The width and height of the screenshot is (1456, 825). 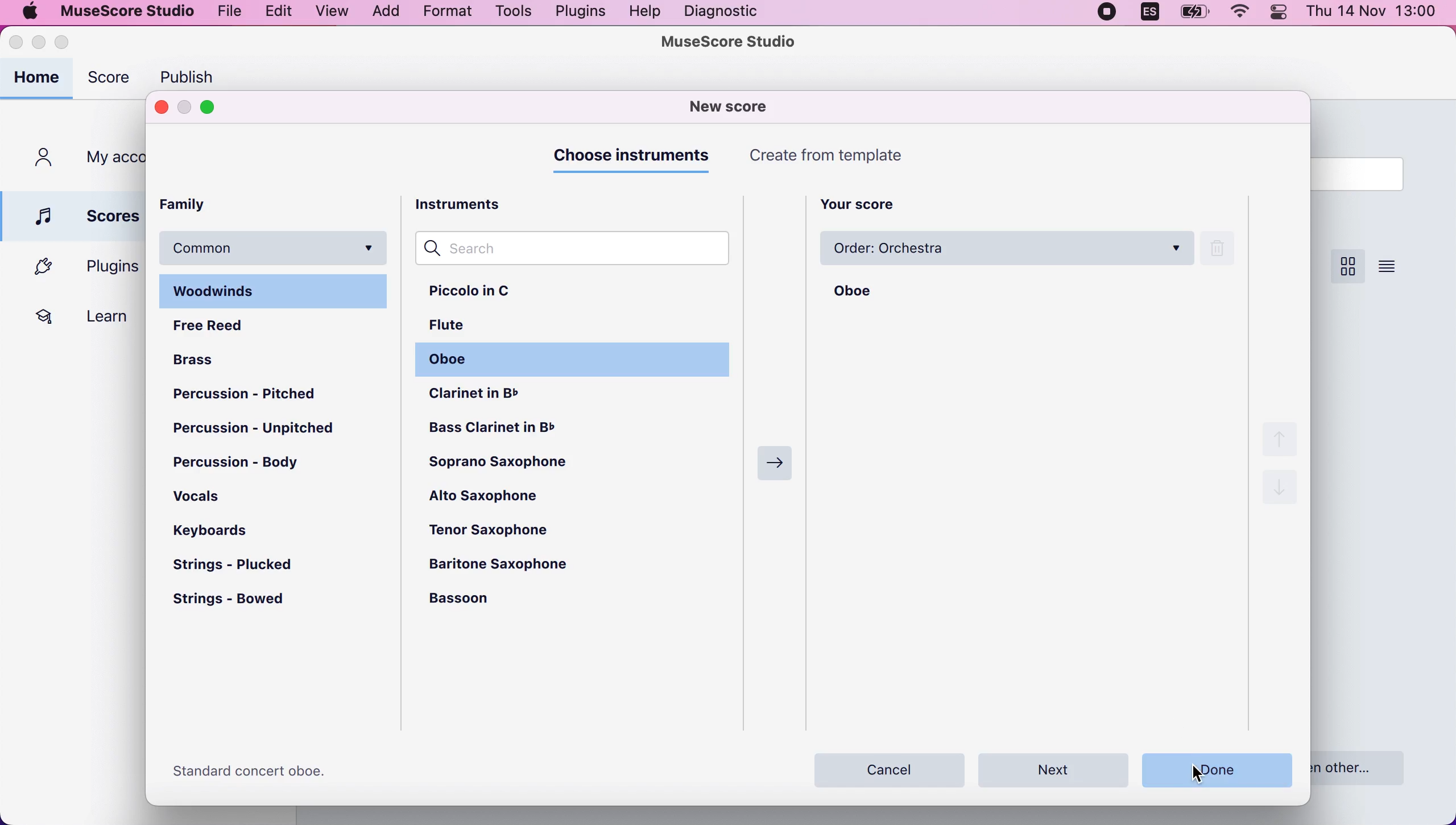 What do you see at coordinates (76, 214) in the screenshot?
I see `scores` at bounding box center [76, 214].